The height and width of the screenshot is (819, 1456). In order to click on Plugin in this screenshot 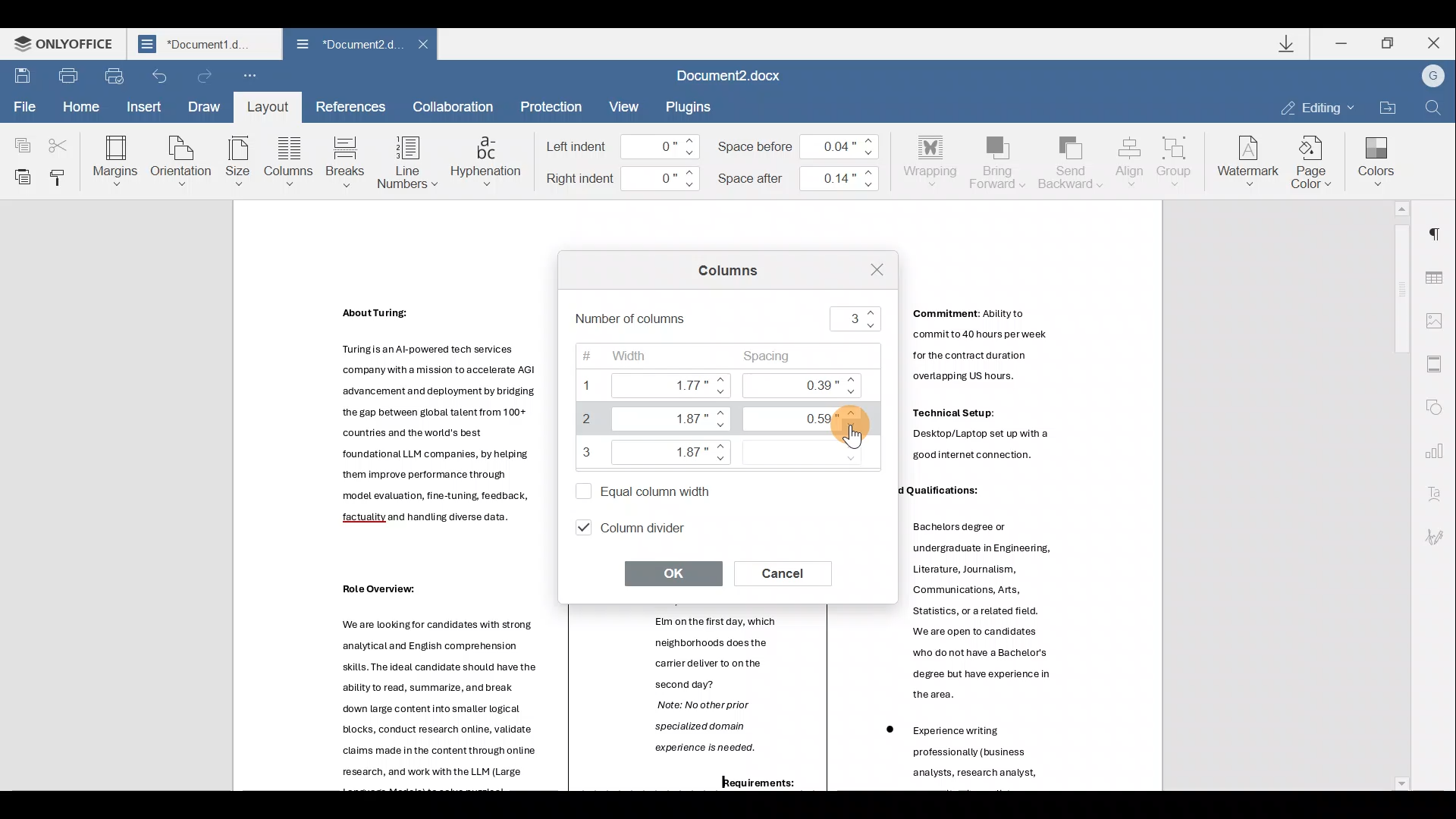, I will do `click(697, 106)`.